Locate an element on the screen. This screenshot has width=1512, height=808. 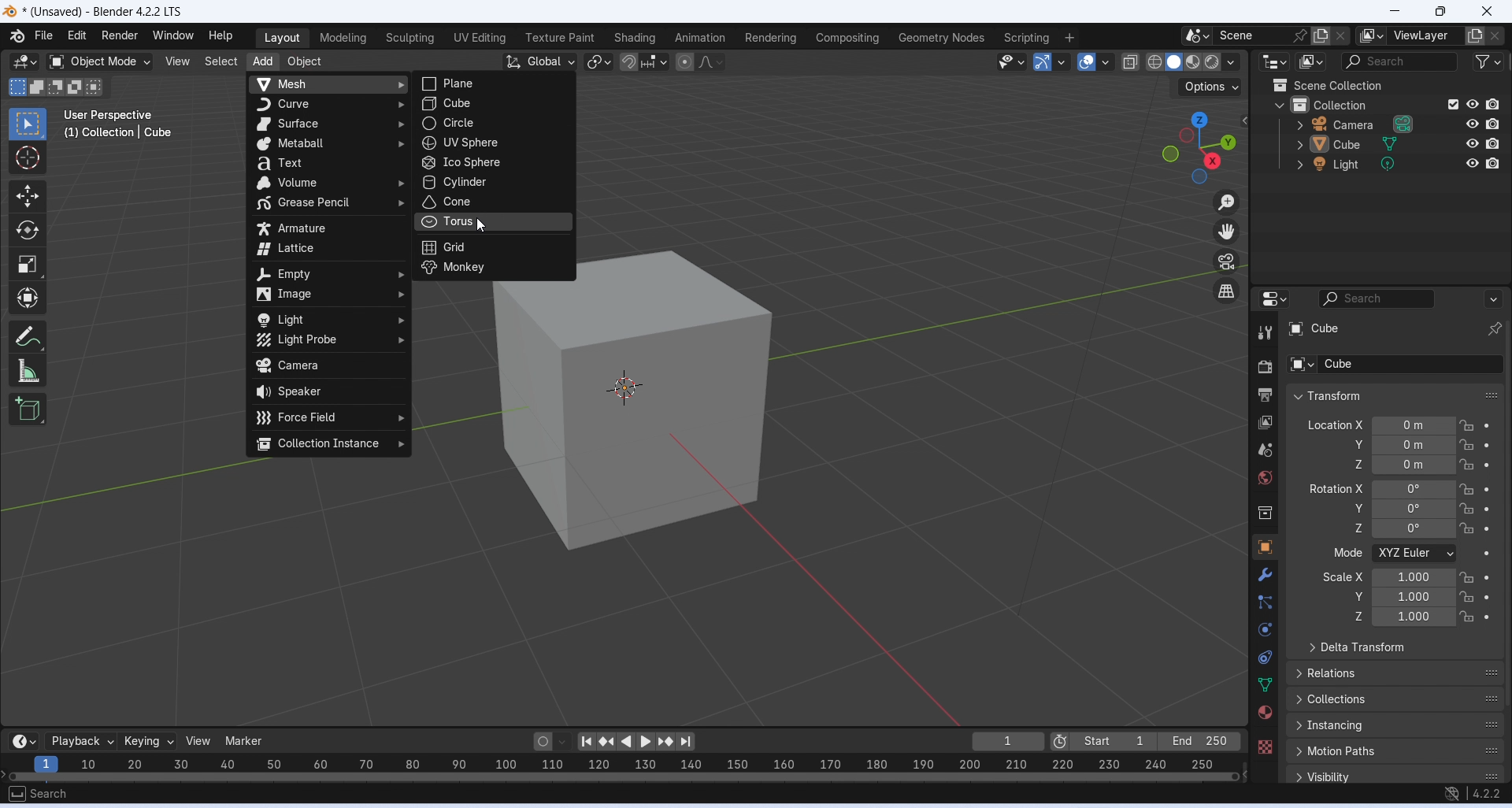
Move the view is located at coordinates (1229, 232).